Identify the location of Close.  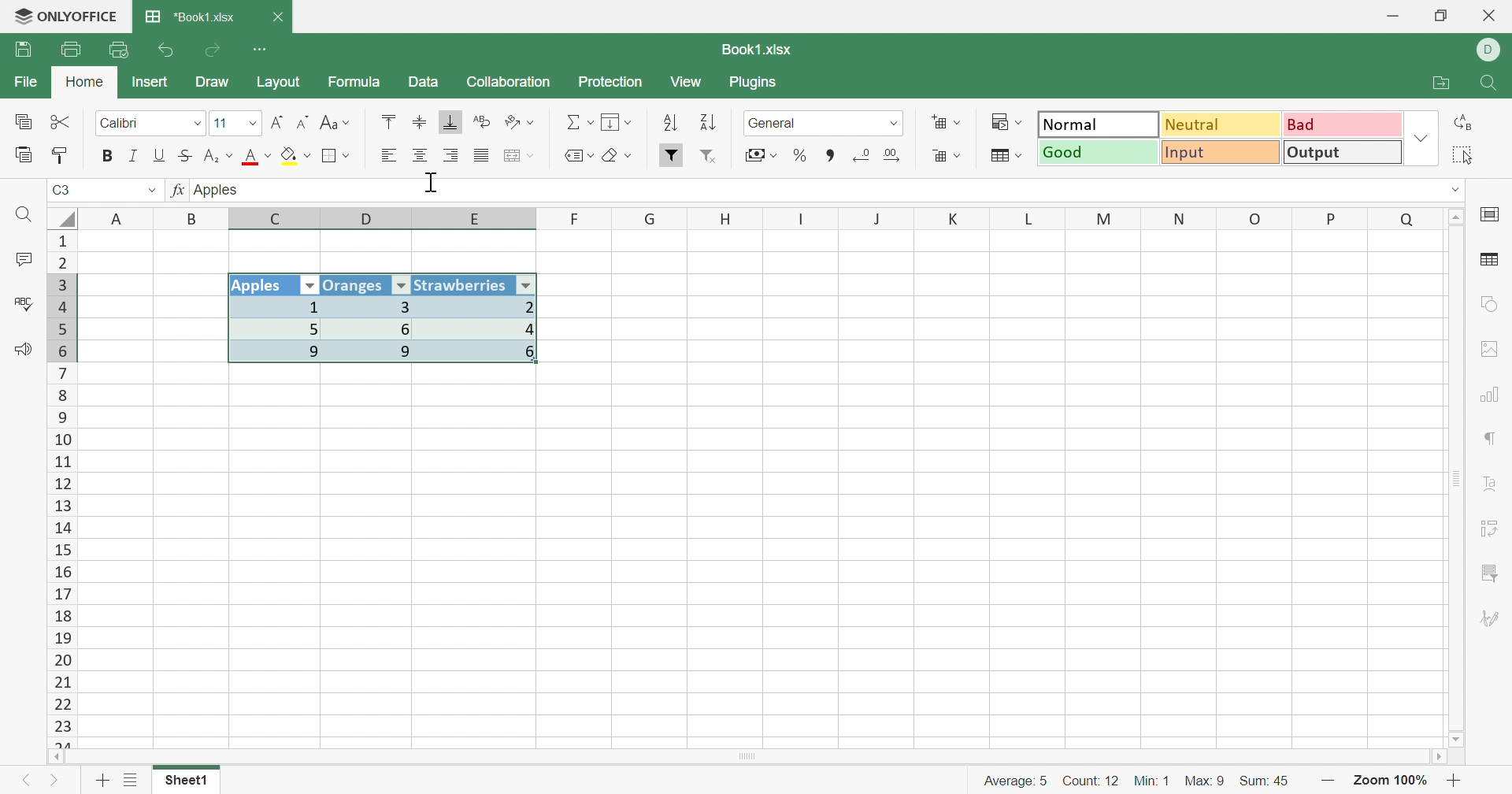
(1490, 17).